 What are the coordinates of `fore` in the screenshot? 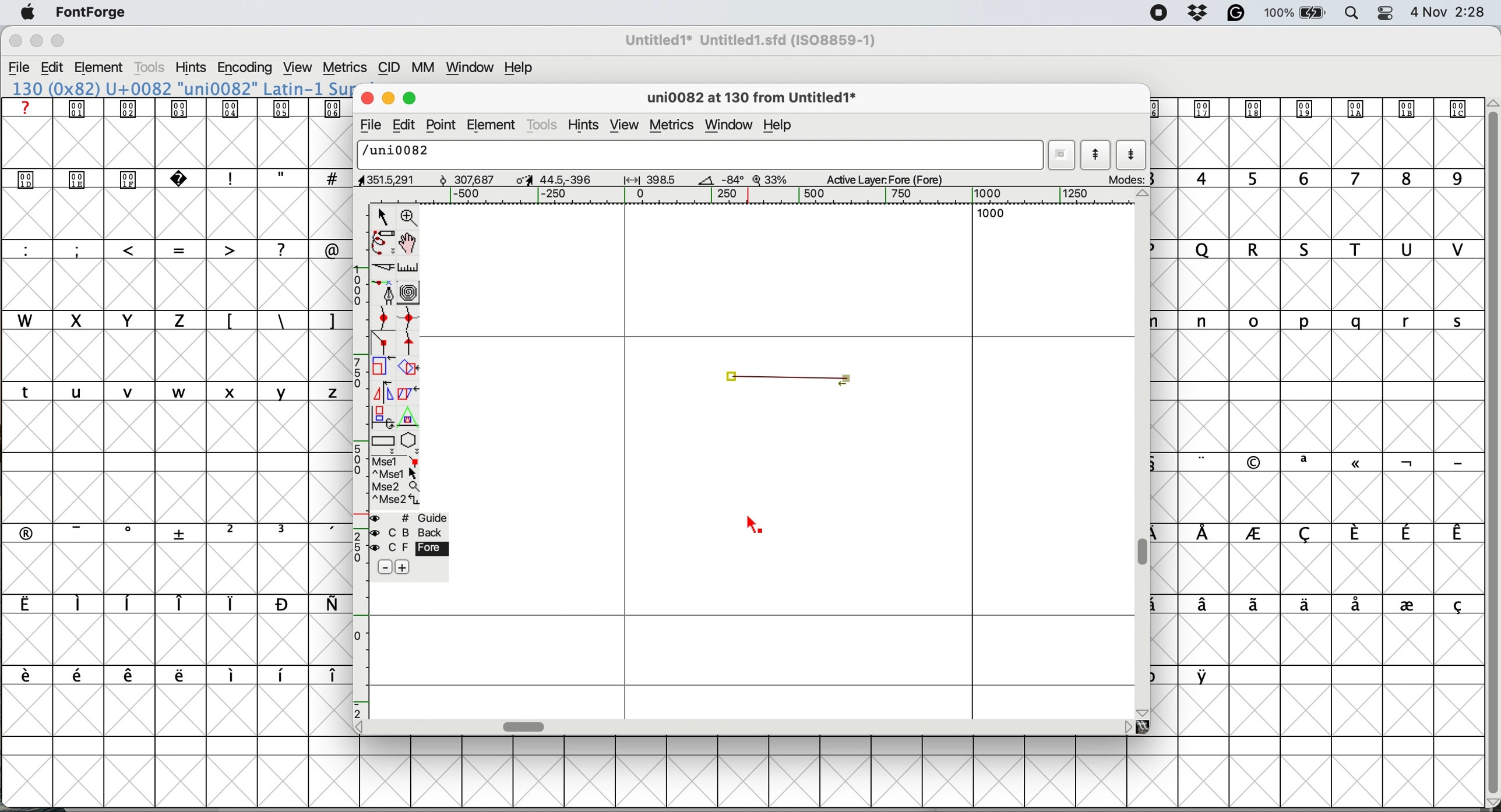 It's located at (409, 548).